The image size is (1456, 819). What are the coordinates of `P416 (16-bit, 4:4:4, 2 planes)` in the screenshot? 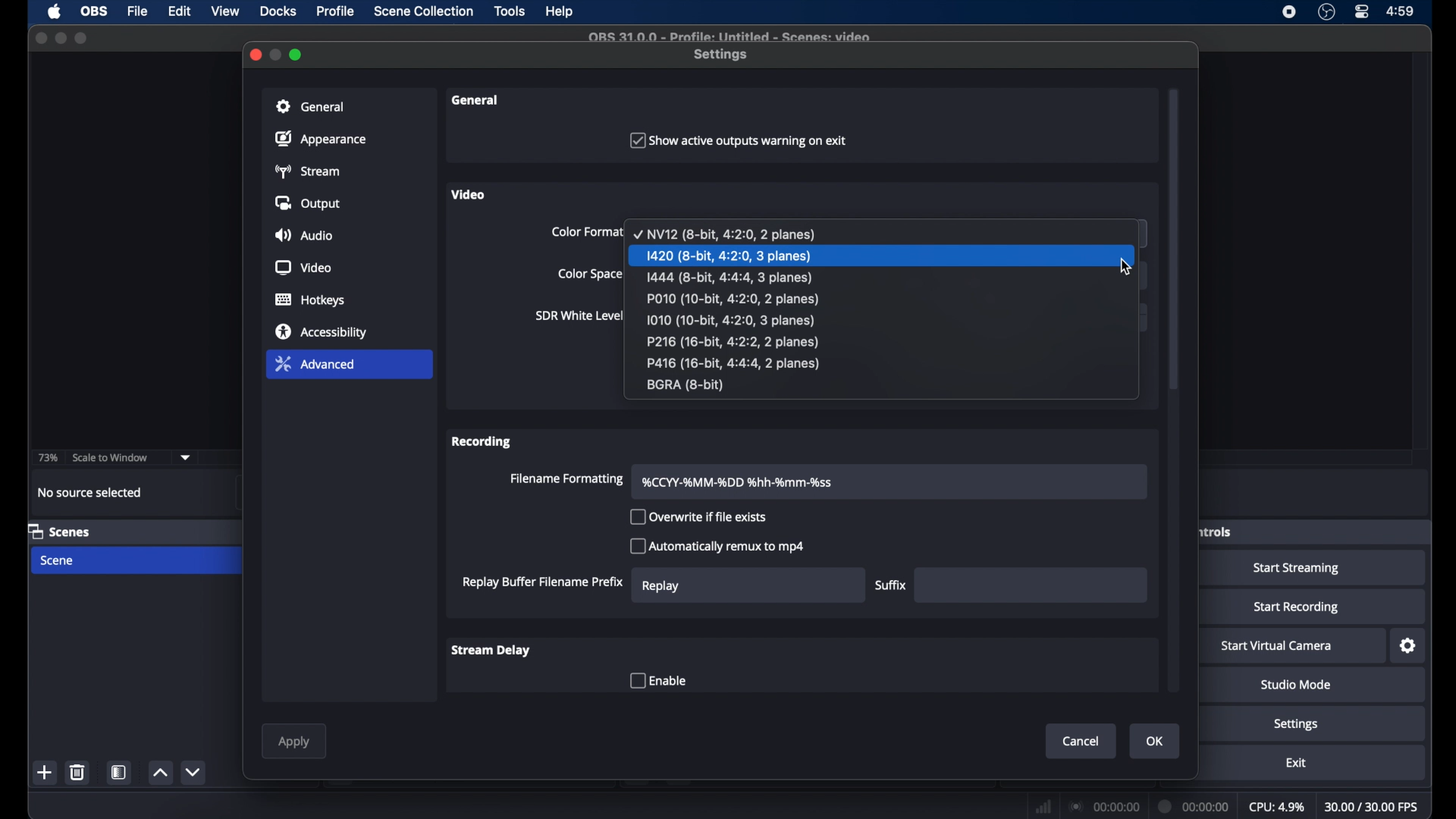 It's located at (734, 363).